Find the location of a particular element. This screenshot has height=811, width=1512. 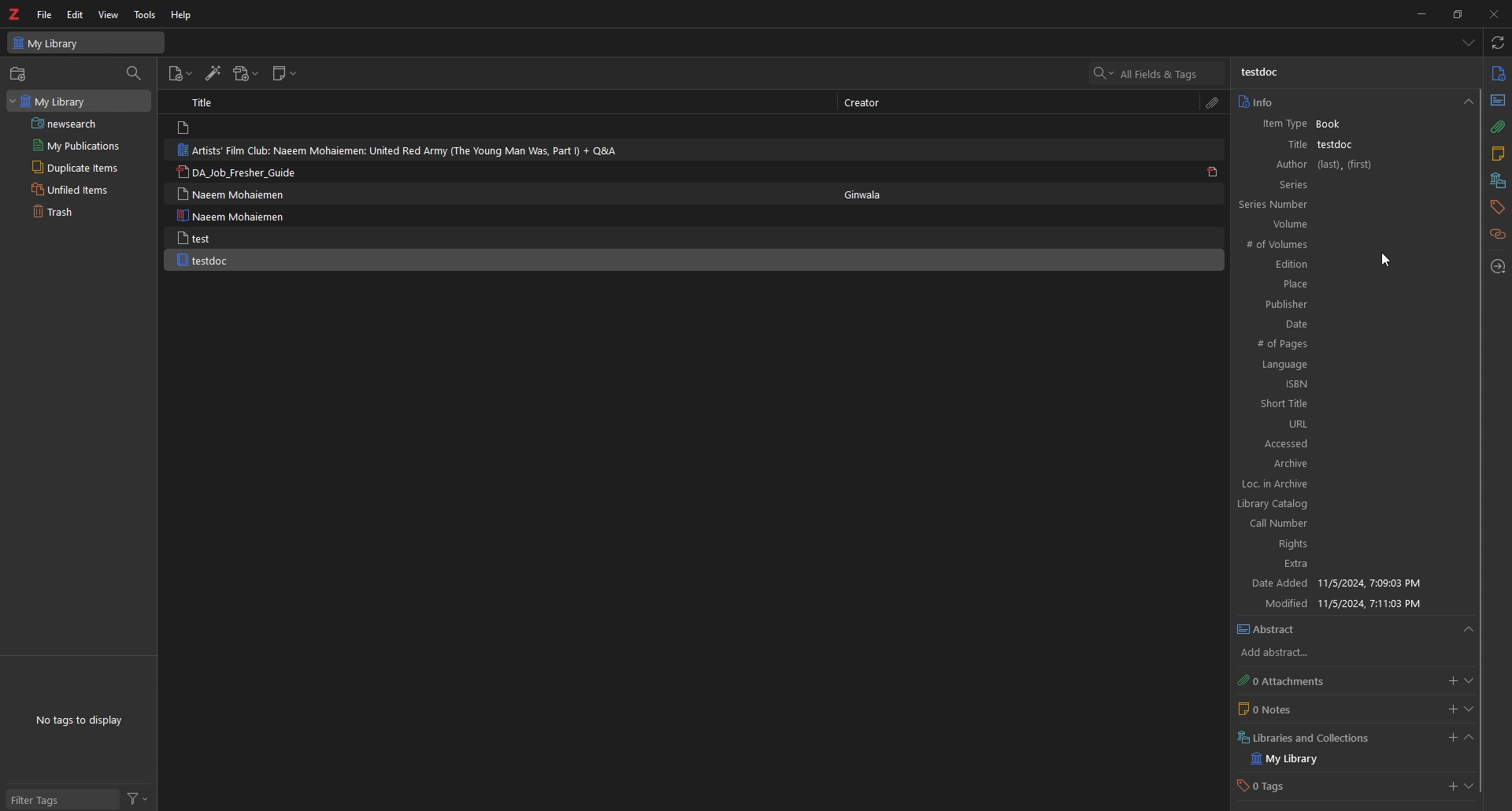

My Publications is located at coordinates (82, 146).